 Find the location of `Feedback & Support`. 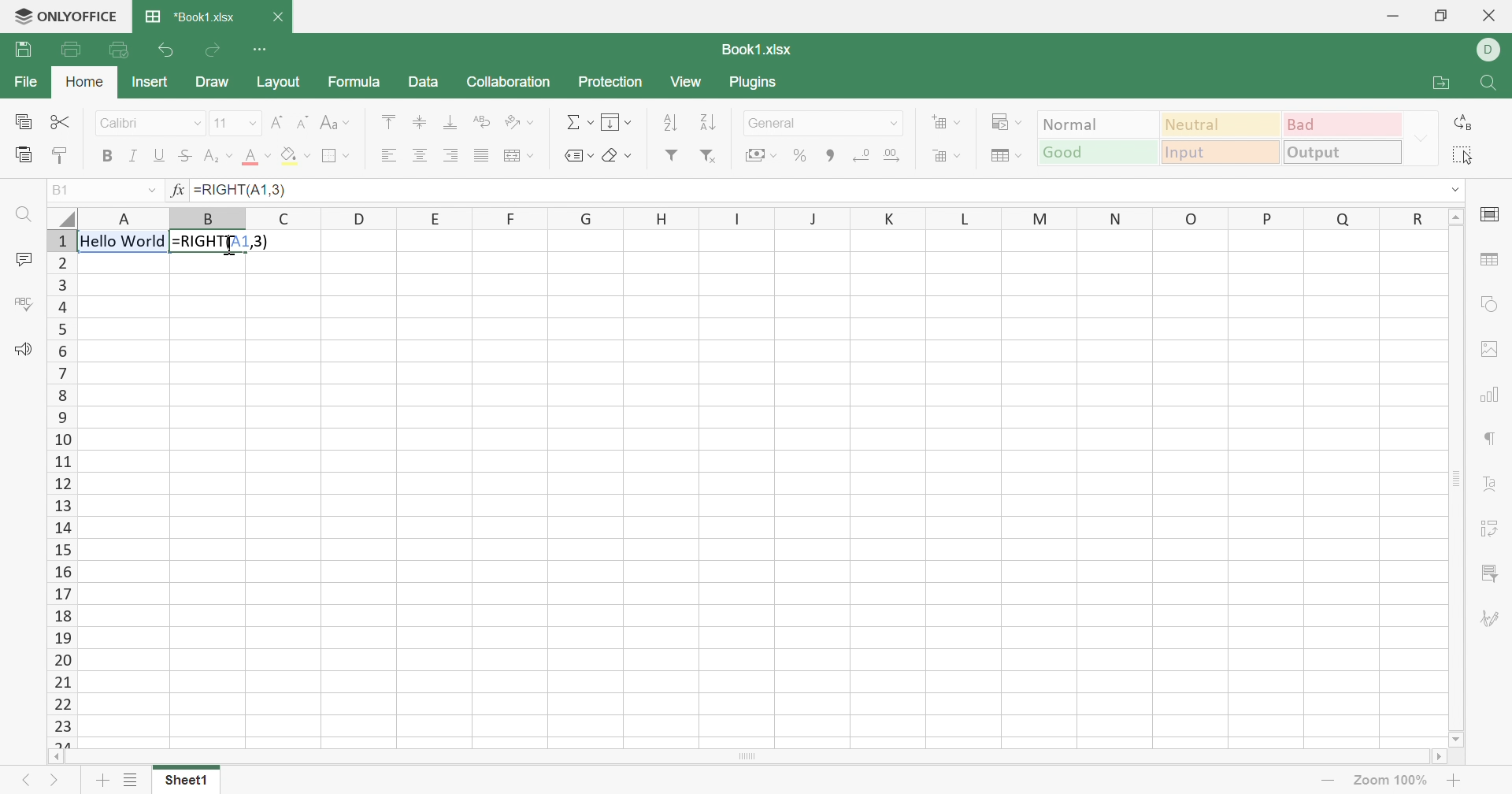

Feedback & Support is located at coordinates (21, 350).